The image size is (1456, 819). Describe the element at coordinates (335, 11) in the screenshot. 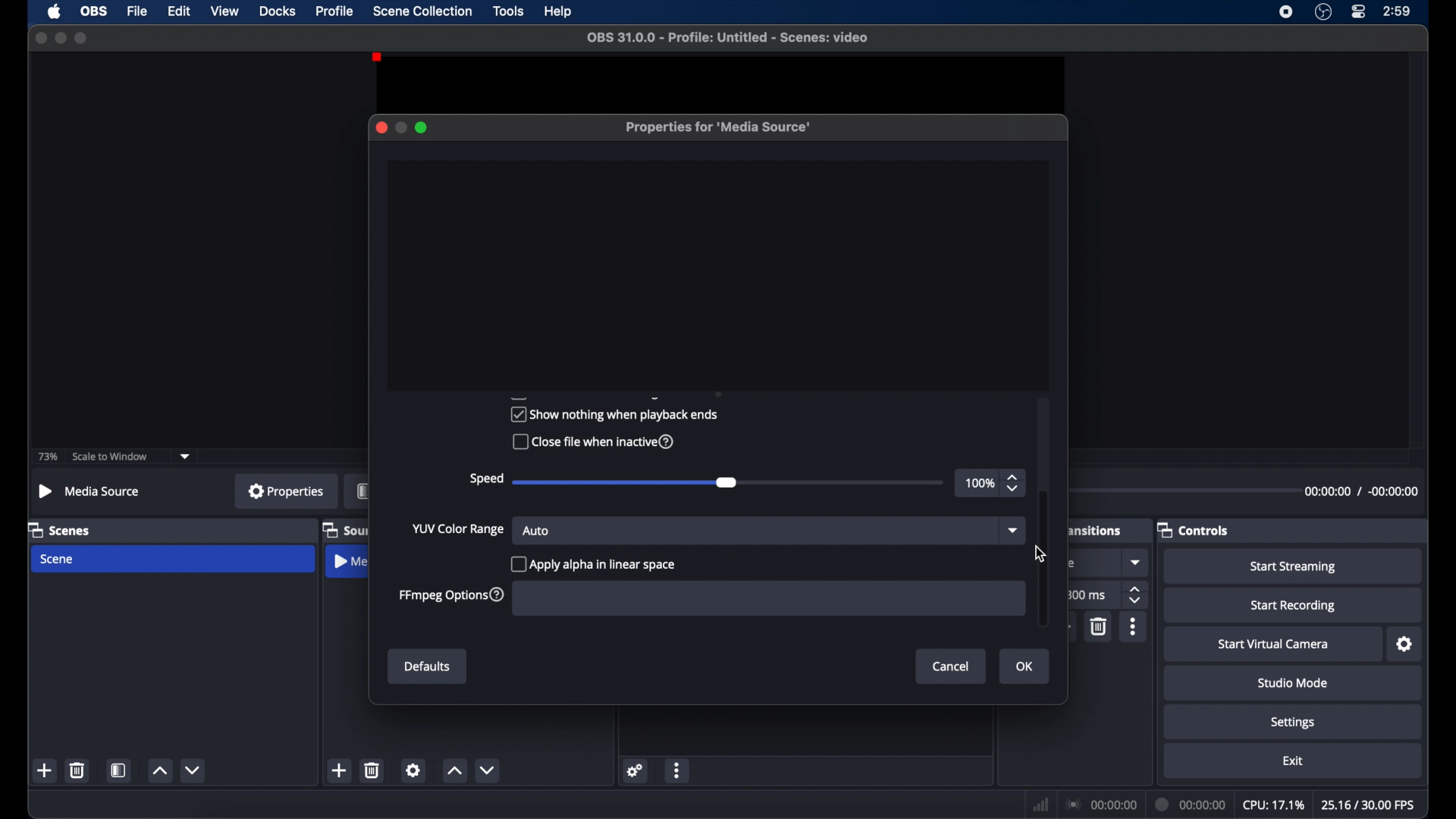

I see `profile` at that location.